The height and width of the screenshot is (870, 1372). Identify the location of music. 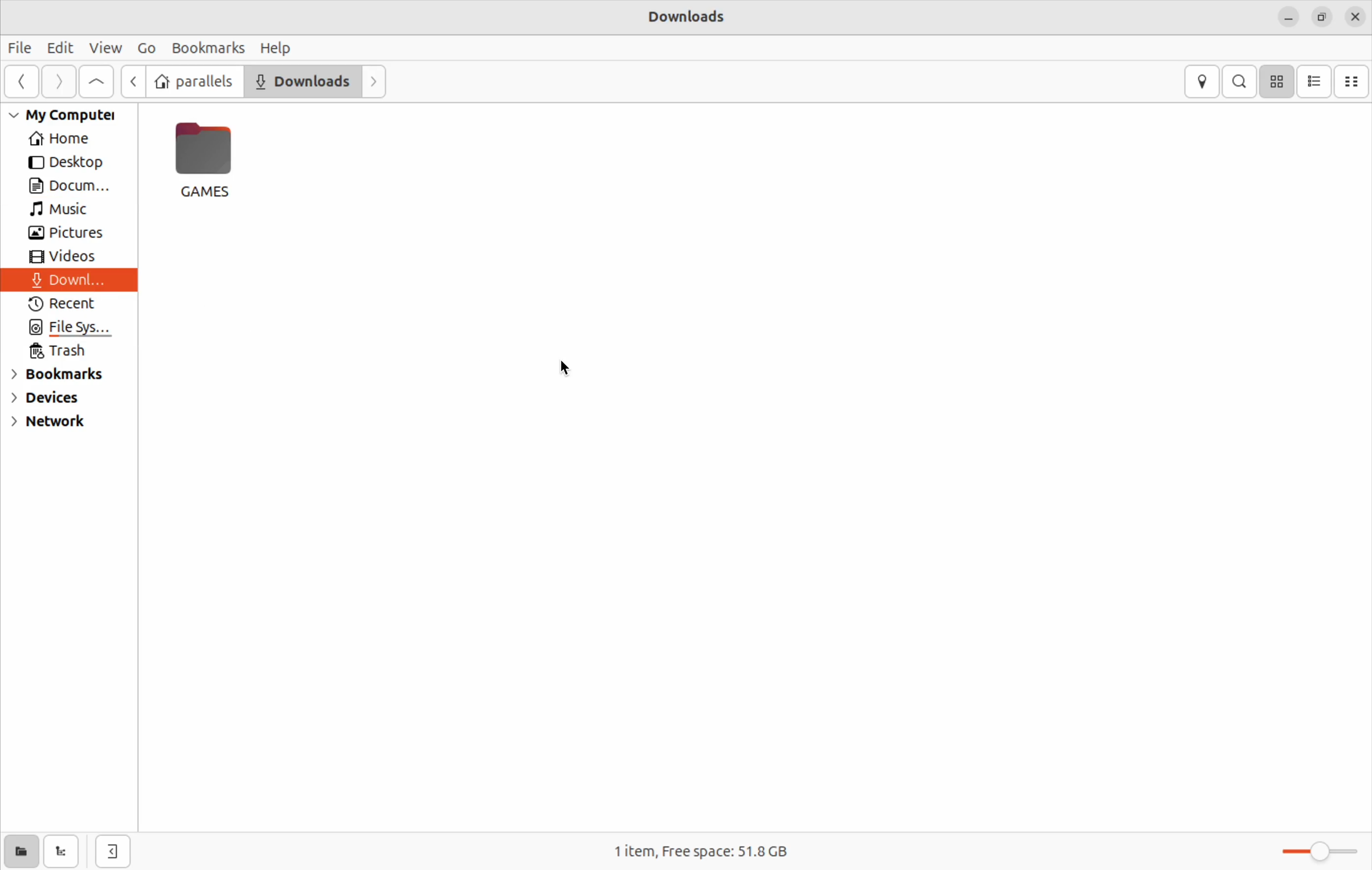
(70, 211).